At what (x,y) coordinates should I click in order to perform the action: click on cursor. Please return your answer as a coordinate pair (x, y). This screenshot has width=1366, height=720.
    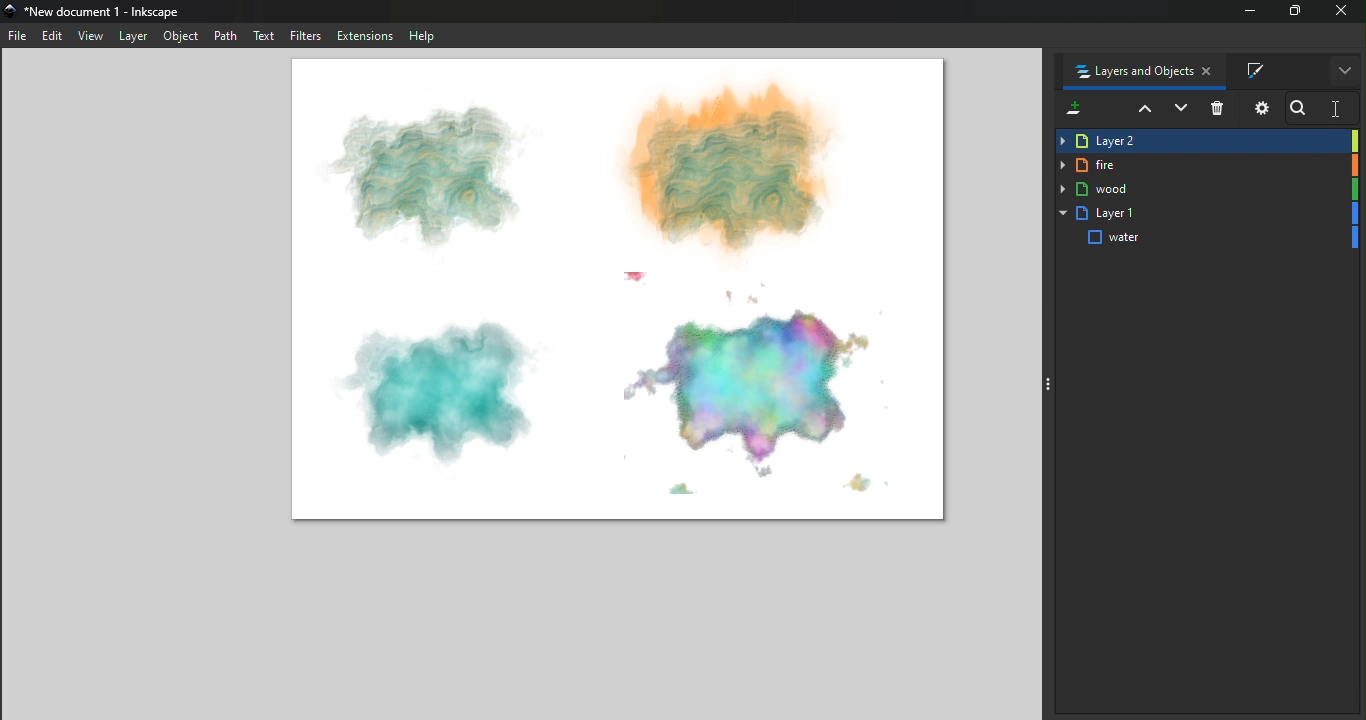
    Looking at the image, I should click on (1337, 109).